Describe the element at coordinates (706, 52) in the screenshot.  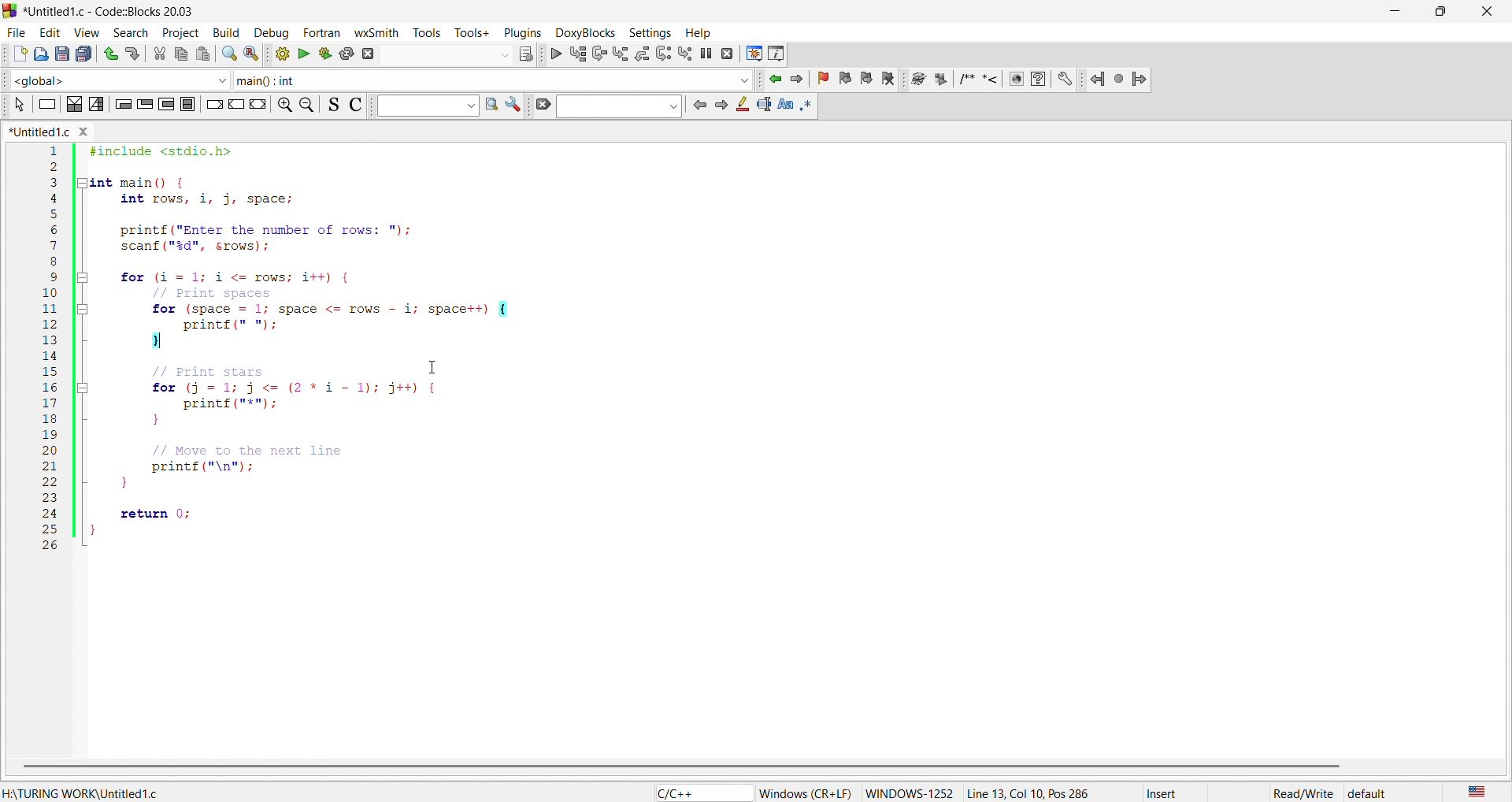
I see `break debugging` at that location.